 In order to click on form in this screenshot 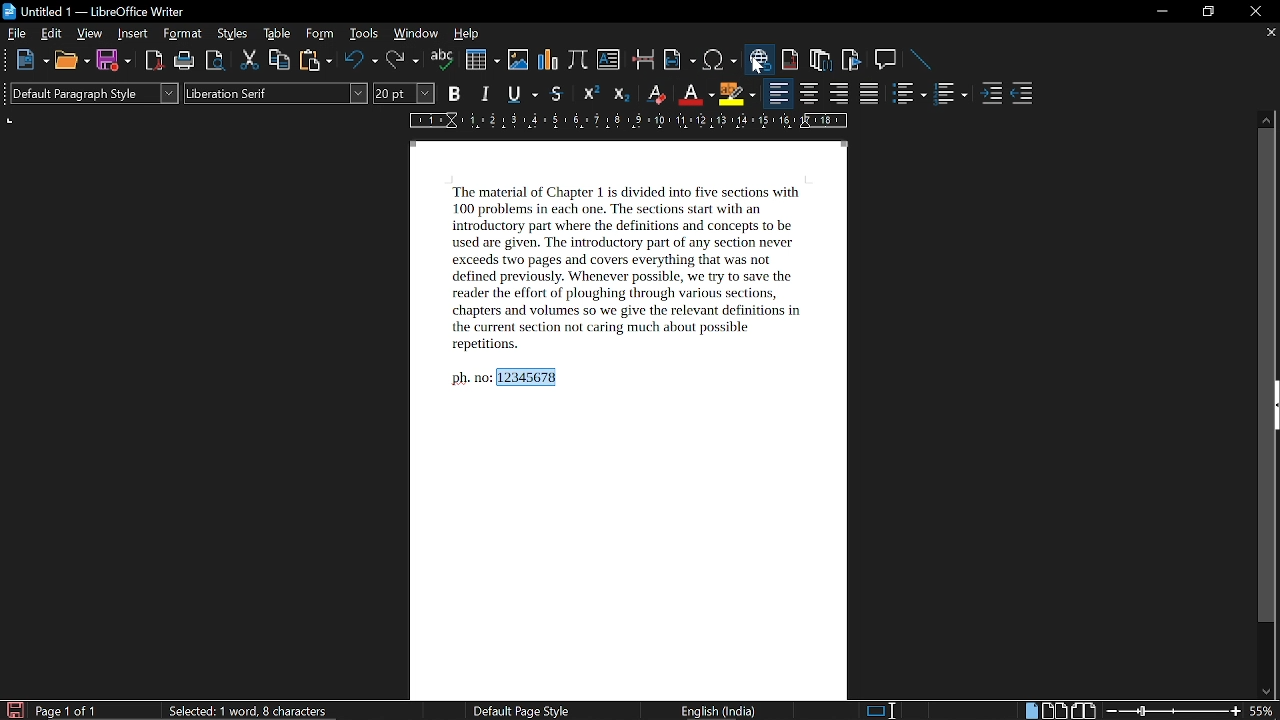, I will do `click(322, 35)`.